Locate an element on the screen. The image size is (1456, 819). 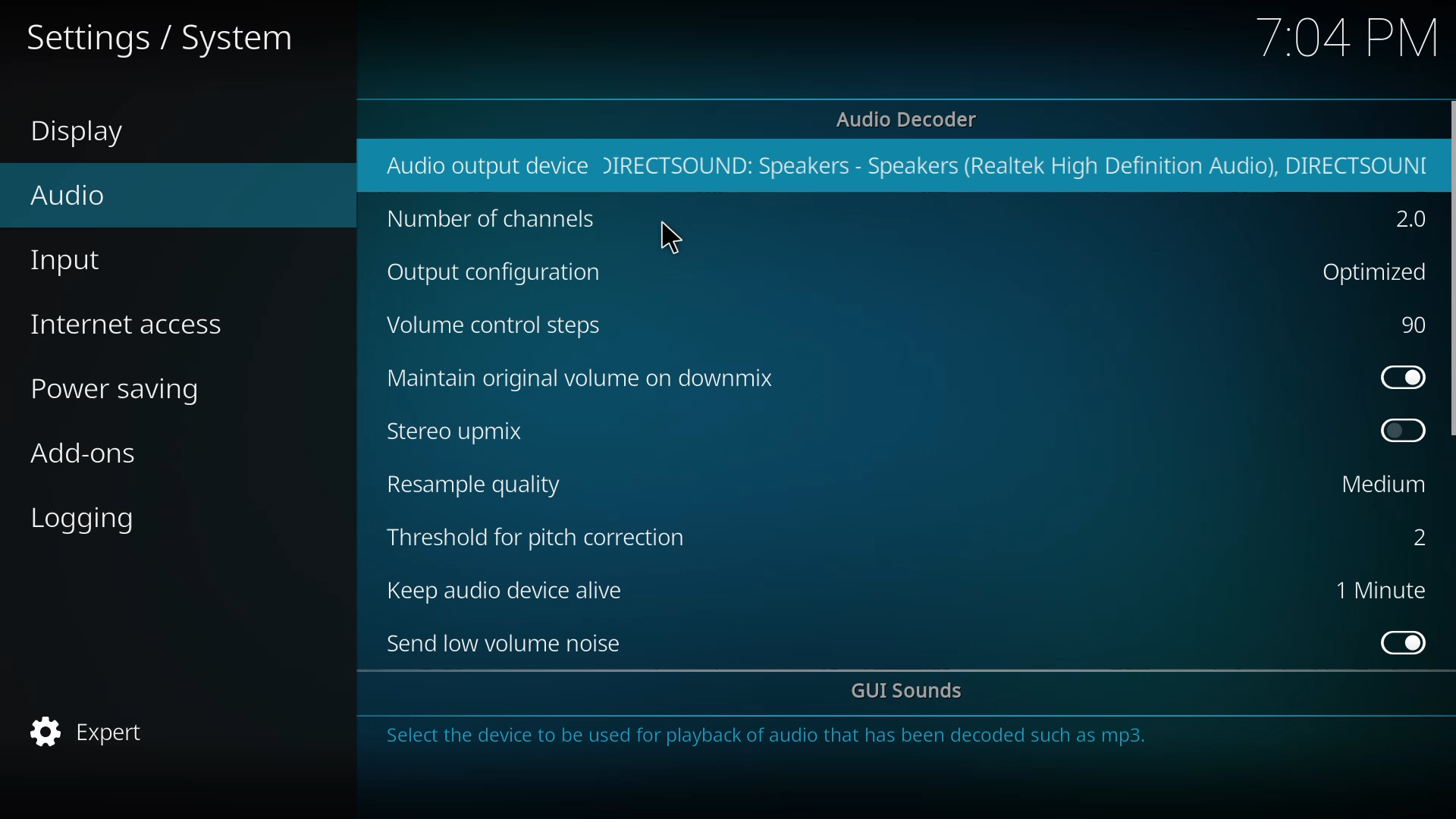
add-ons is located at coordinates (84, 457).